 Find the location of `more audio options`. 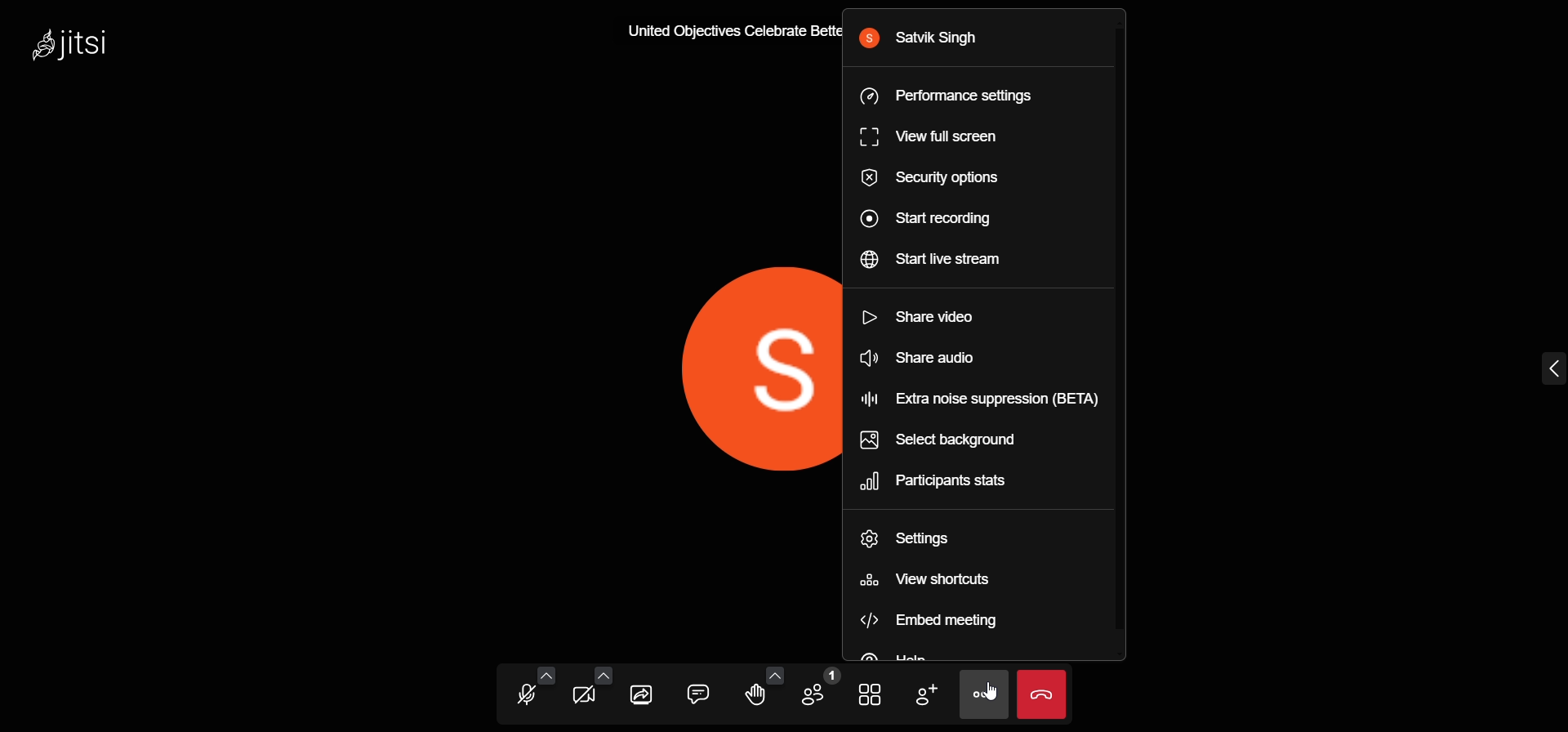

more audio options is located at coordinates (545, 673).